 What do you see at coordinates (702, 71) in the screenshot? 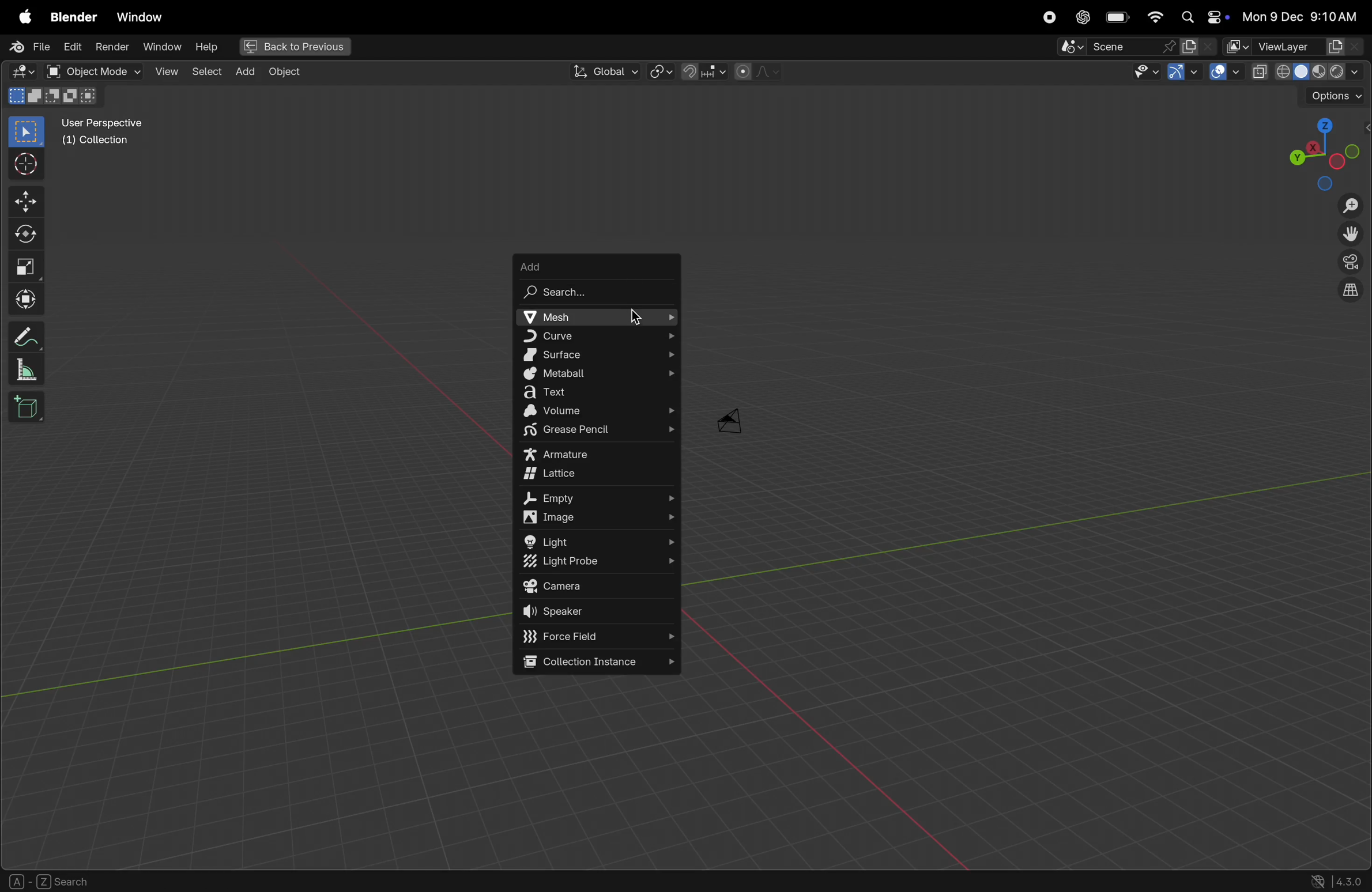
I see `snap` at bounding box center [702, 71].